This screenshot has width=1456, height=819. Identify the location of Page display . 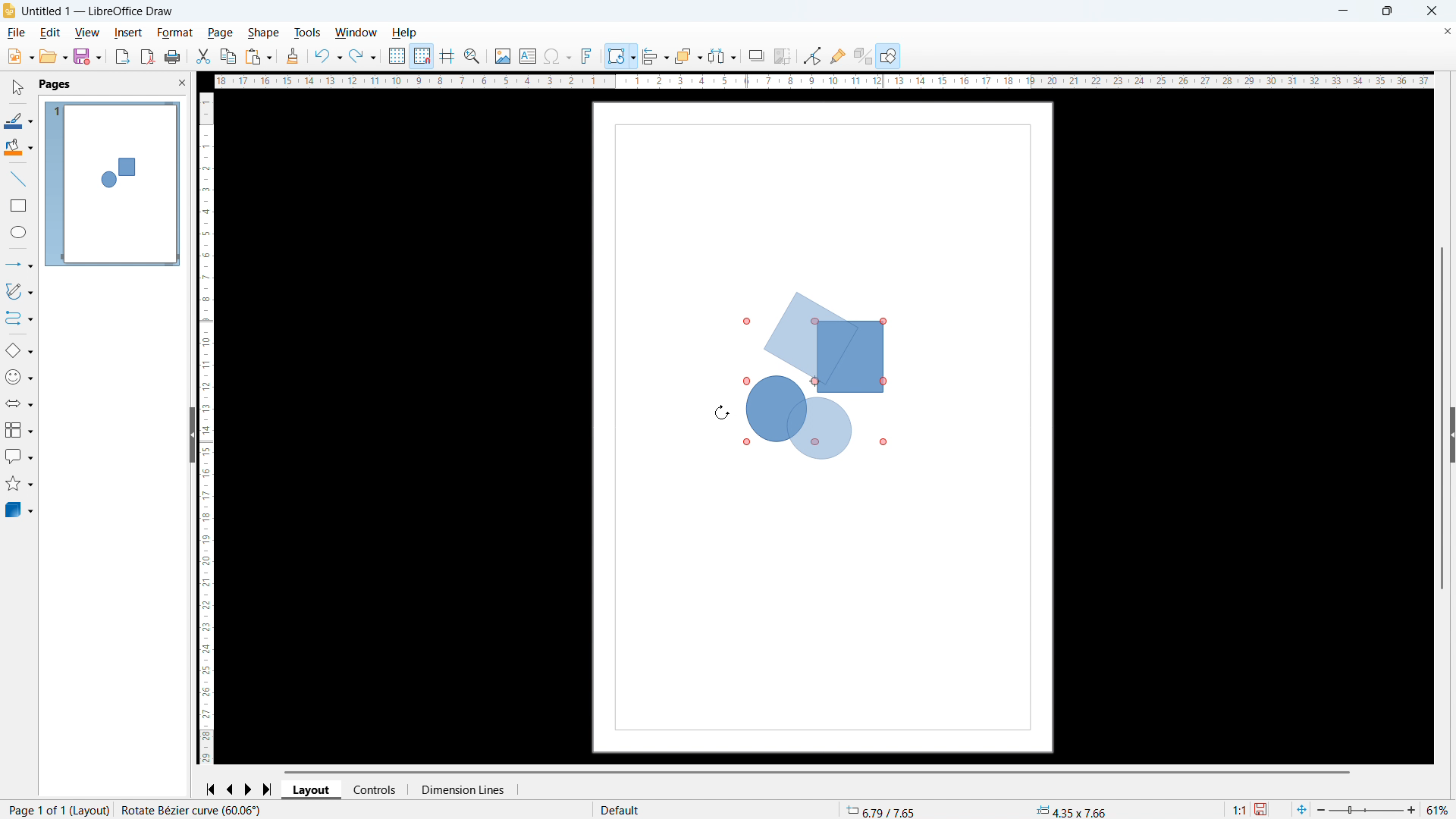
(113, 184).